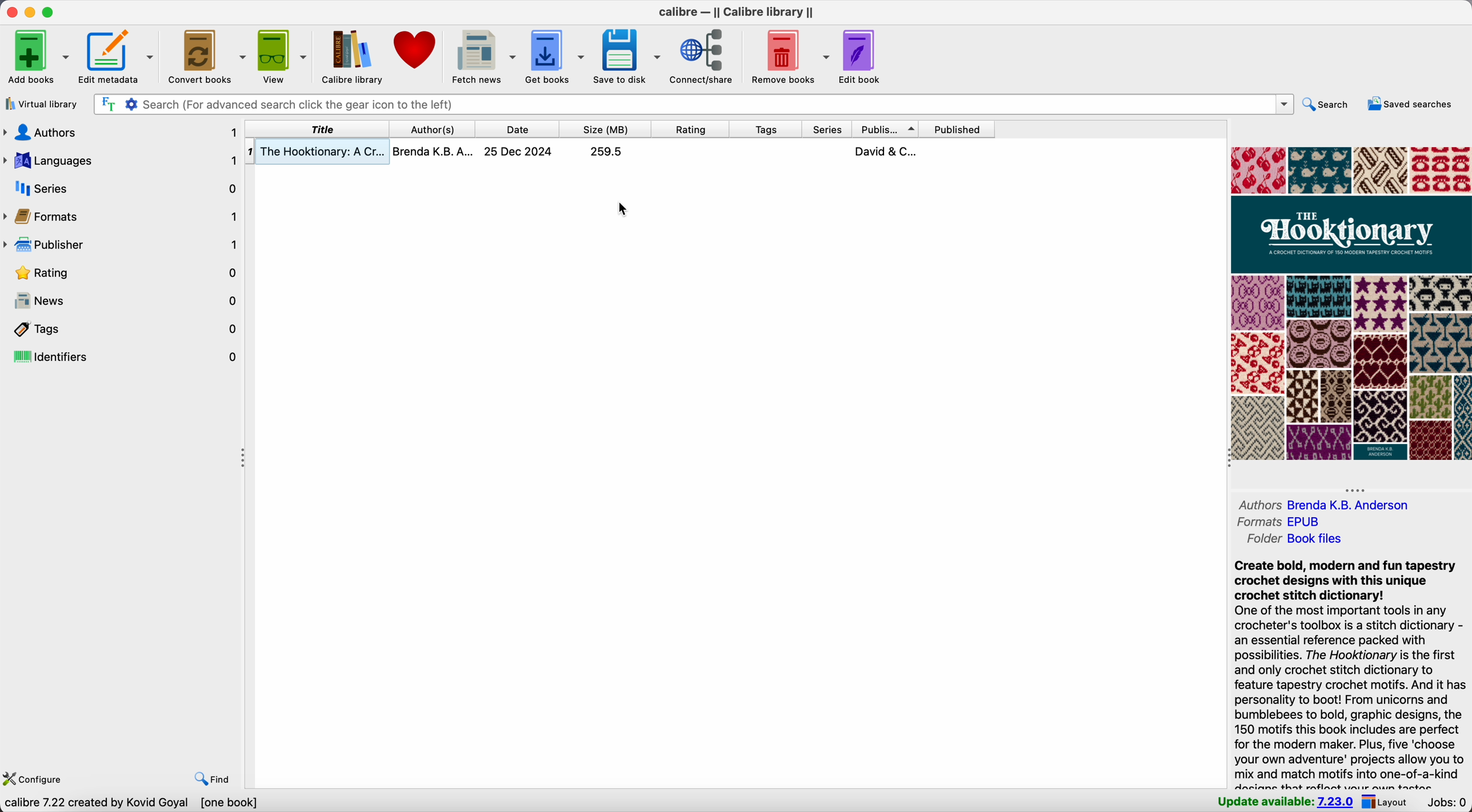 This screenshot has width=1472, height=812. I want to click on connect/share, so click(704, 58).